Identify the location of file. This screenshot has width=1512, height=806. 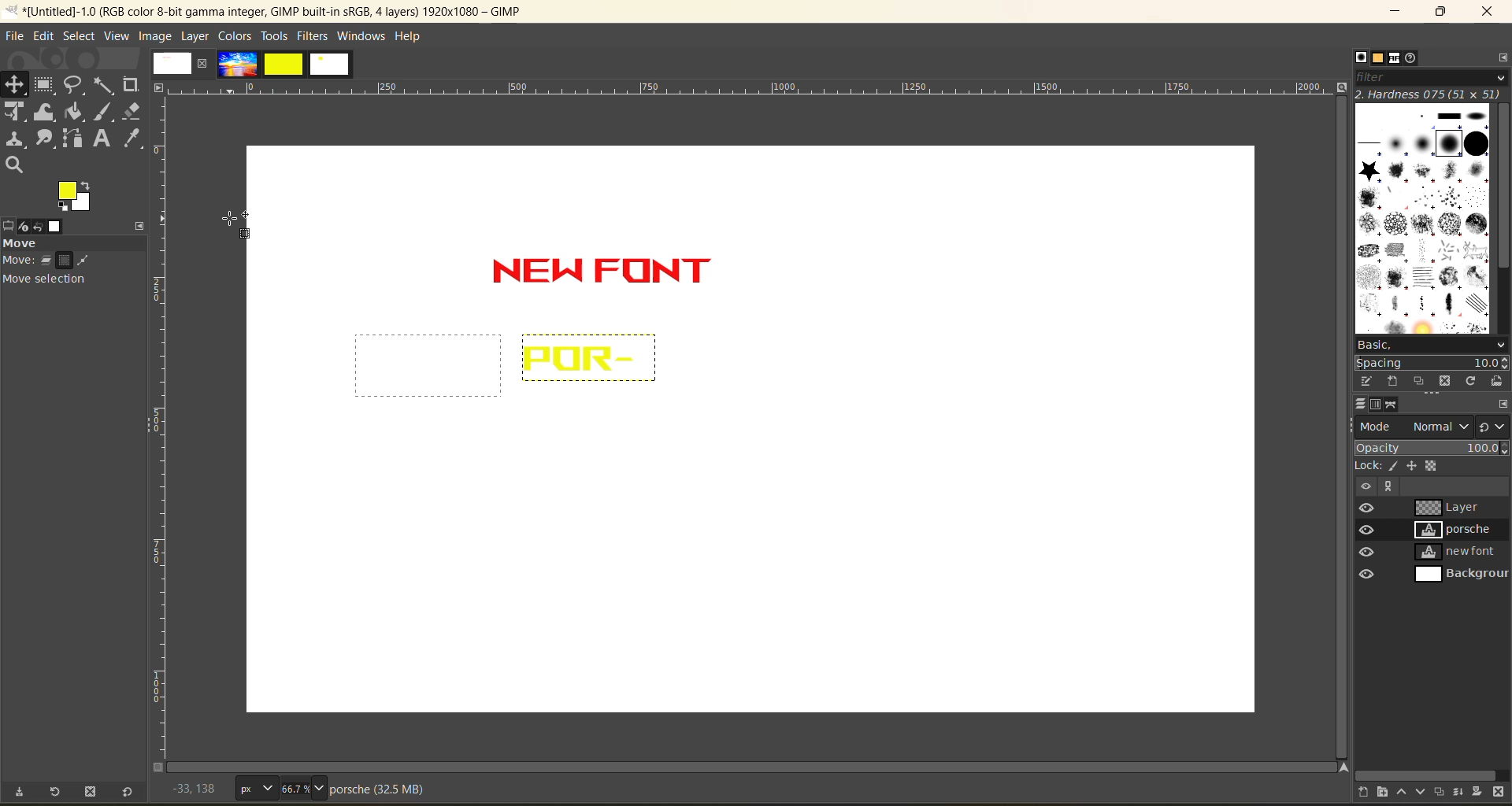
(13, 35).